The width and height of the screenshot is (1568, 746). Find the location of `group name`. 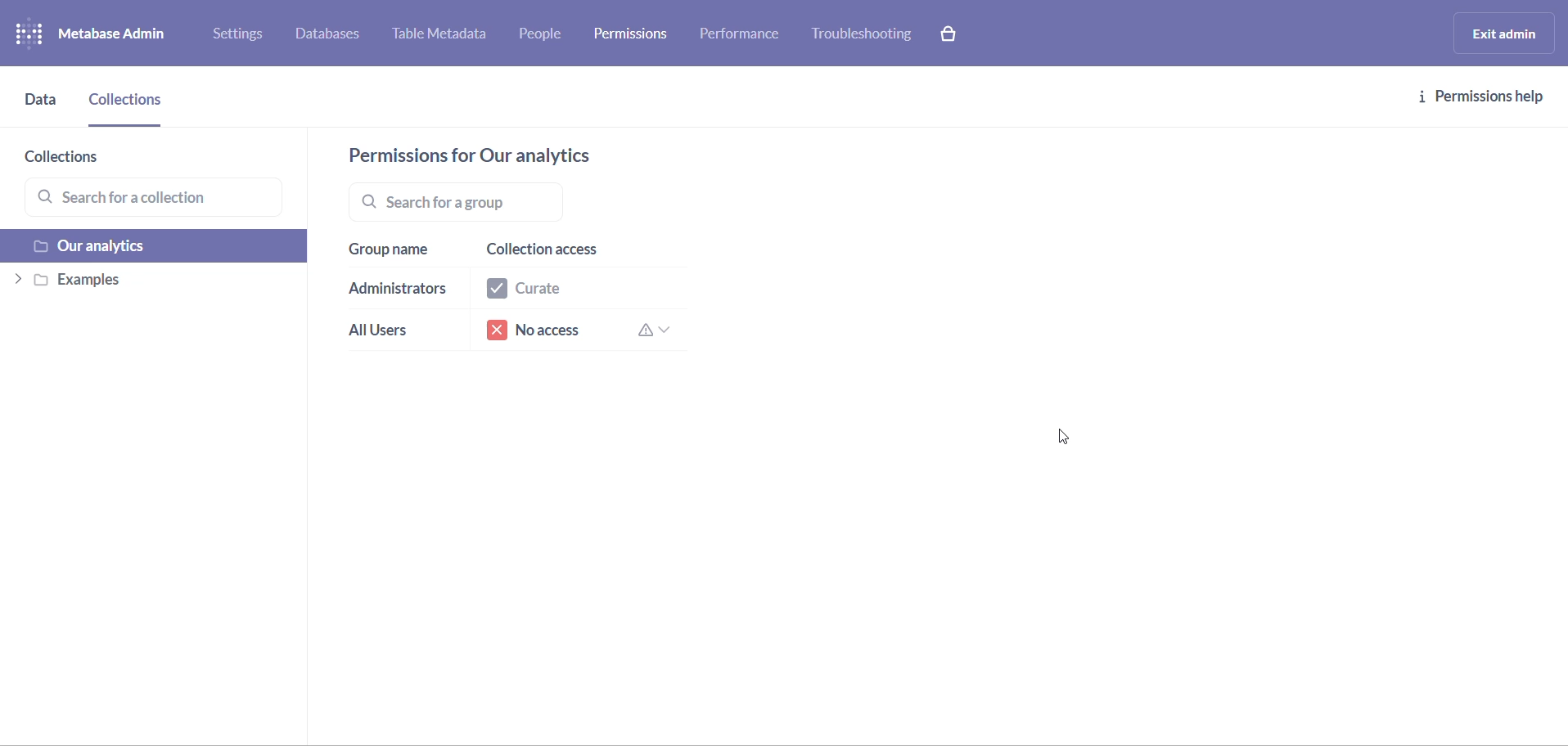

group name is located at coordinates (394, 250).